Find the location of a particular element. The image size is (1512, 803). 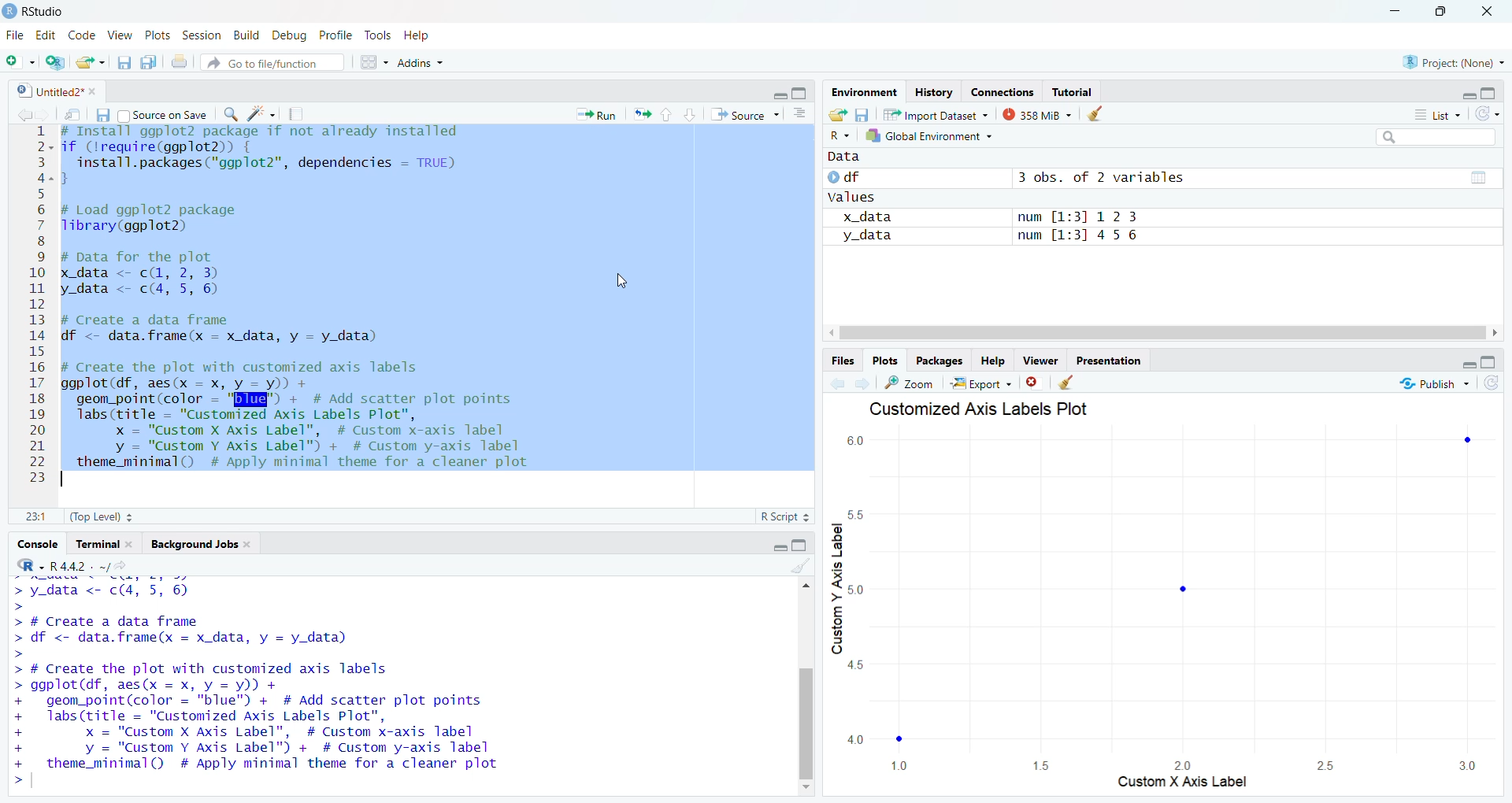

copy is located at coordinates (150, 65).